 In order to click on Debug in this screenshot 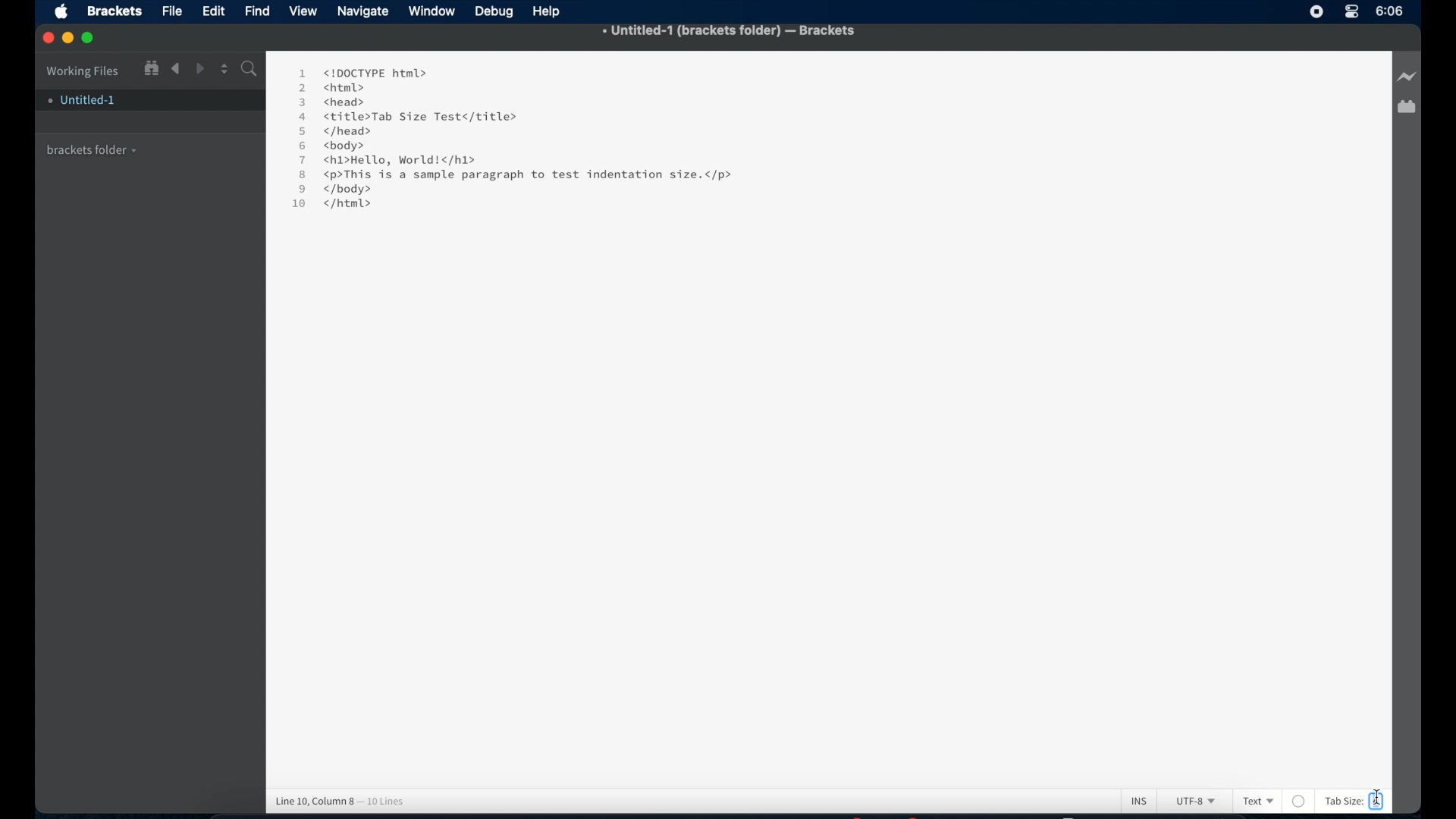, I will do `click(496, 12)`.